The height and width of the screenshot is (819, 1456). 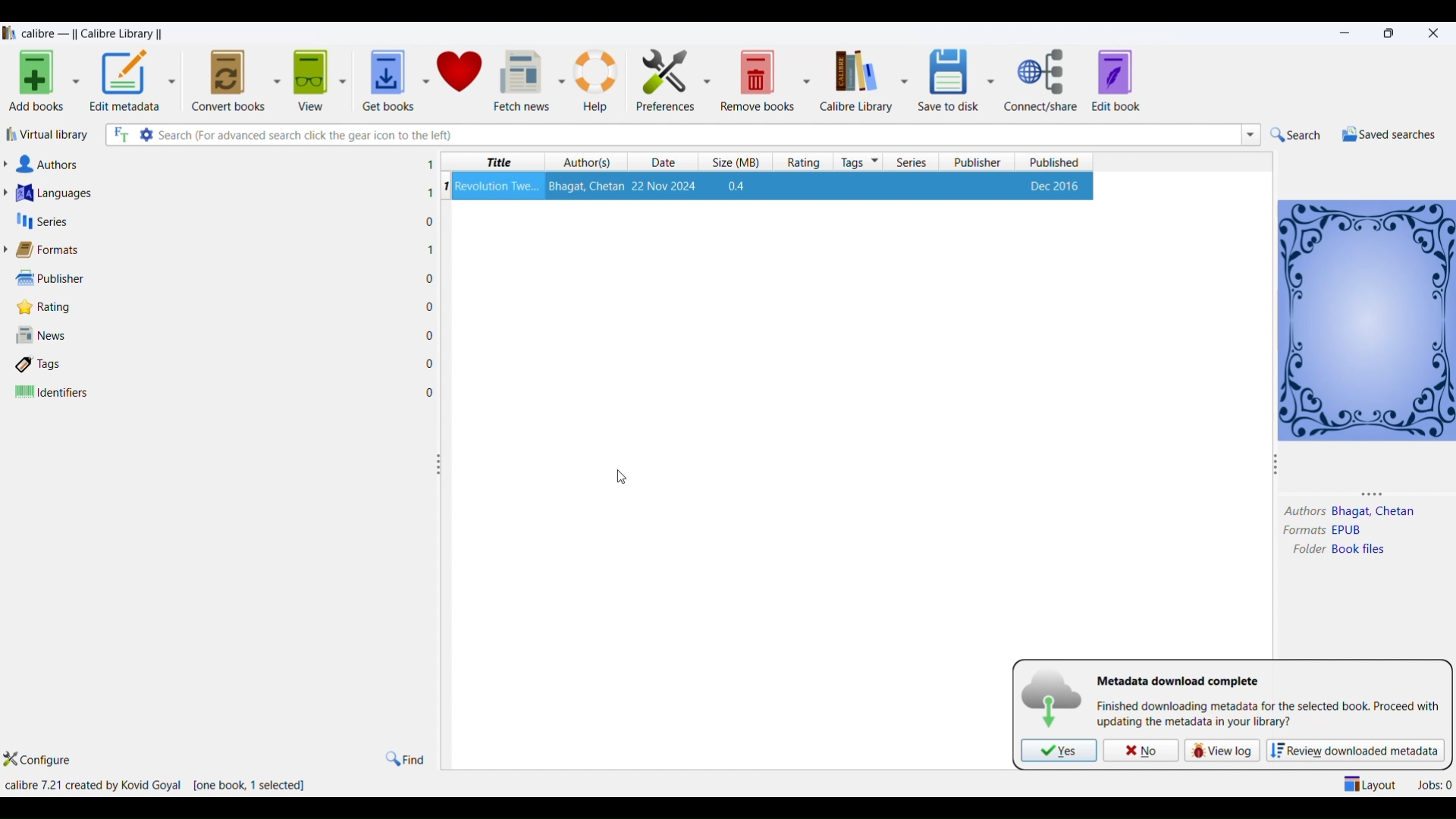 What do you see at coordinates (33, 83) in the screenshot?
I see `add books` at bounding box center [33, 83].